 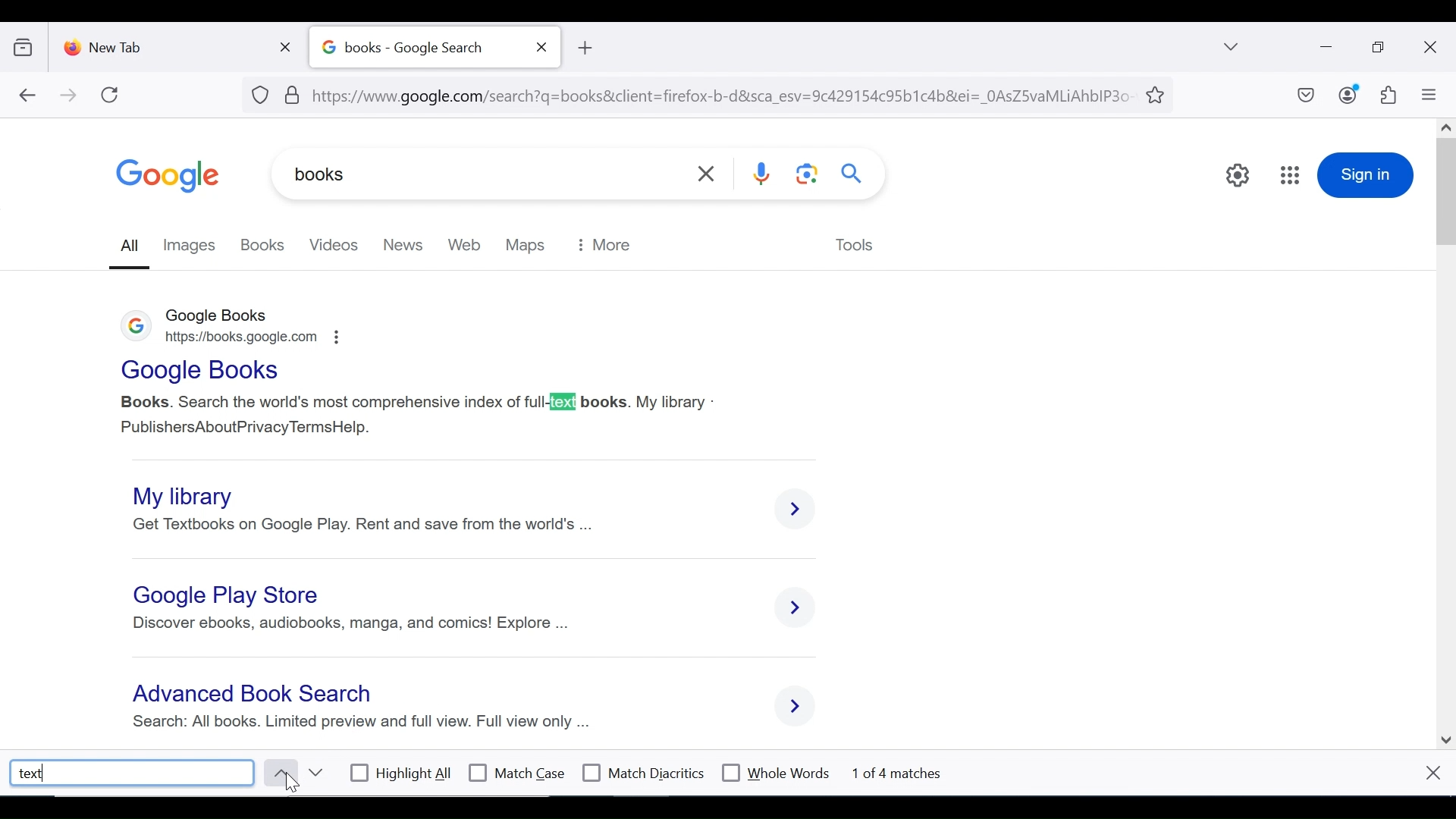 I want to click on search: all books. limited preview and full view. Full view only ..., so click(x=362, y=722).